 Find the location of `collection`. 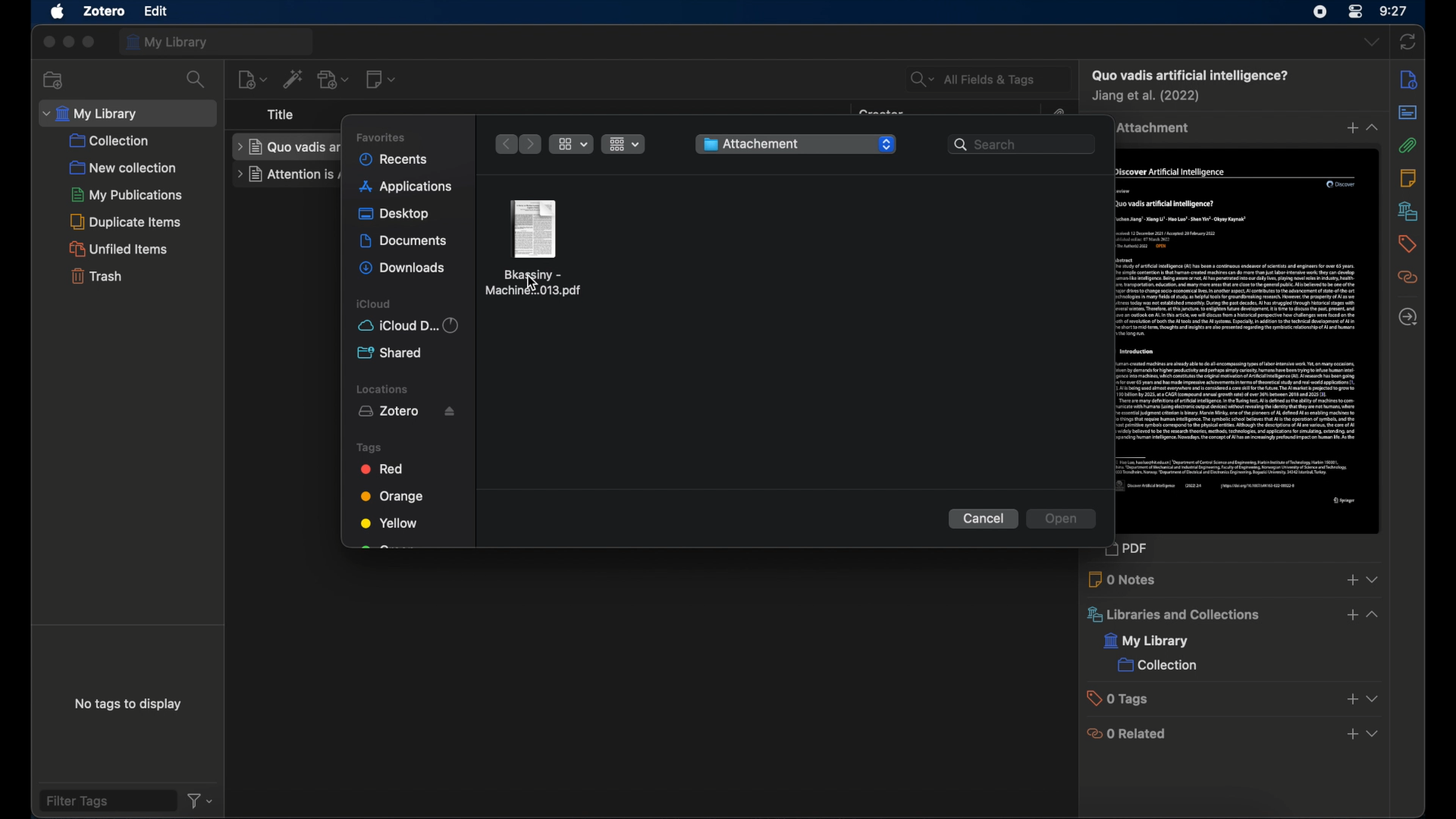

collection is located at coordinates (111, 141).